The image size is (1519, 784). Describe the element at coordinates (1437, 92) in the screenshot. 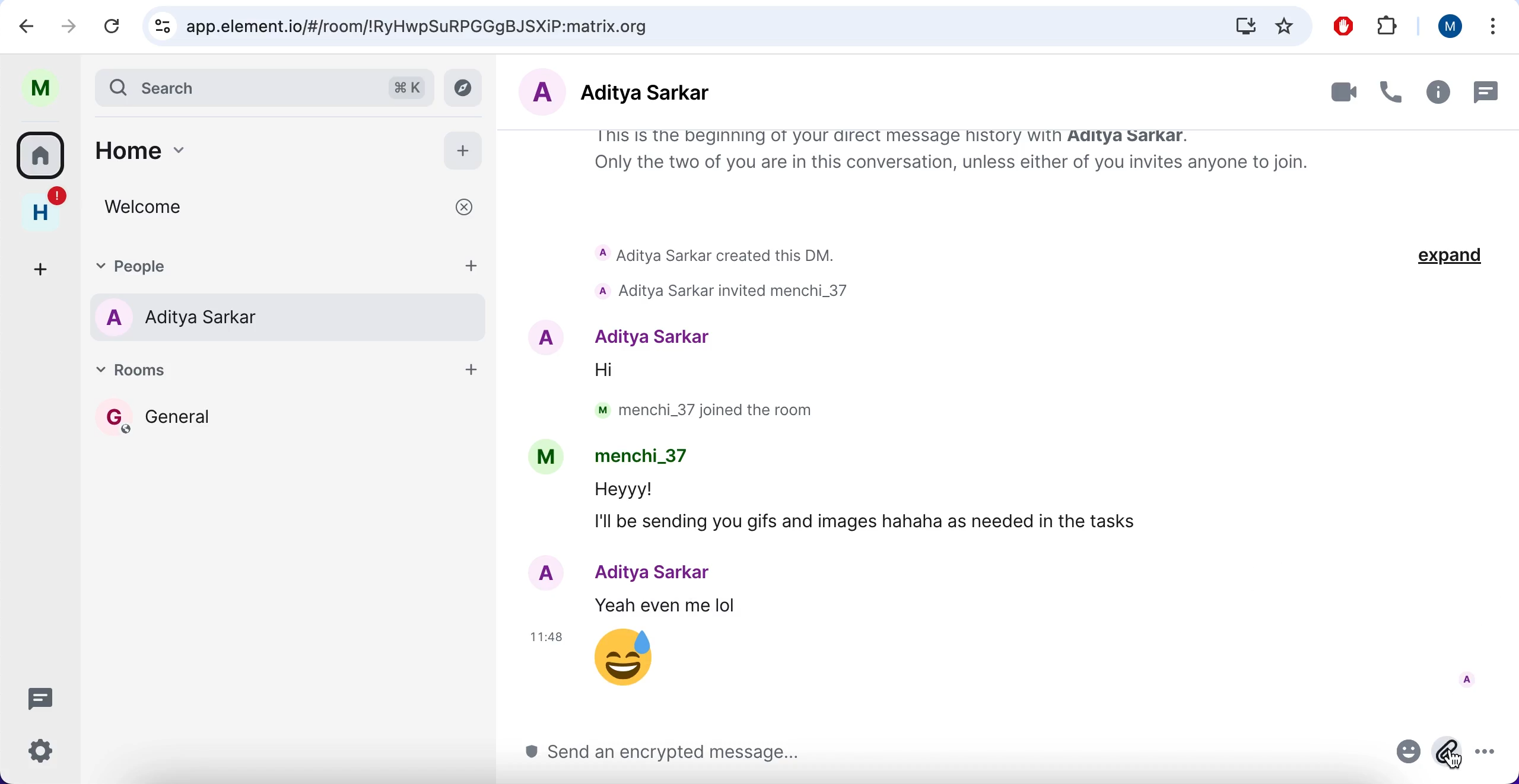

I see `information` at that location.